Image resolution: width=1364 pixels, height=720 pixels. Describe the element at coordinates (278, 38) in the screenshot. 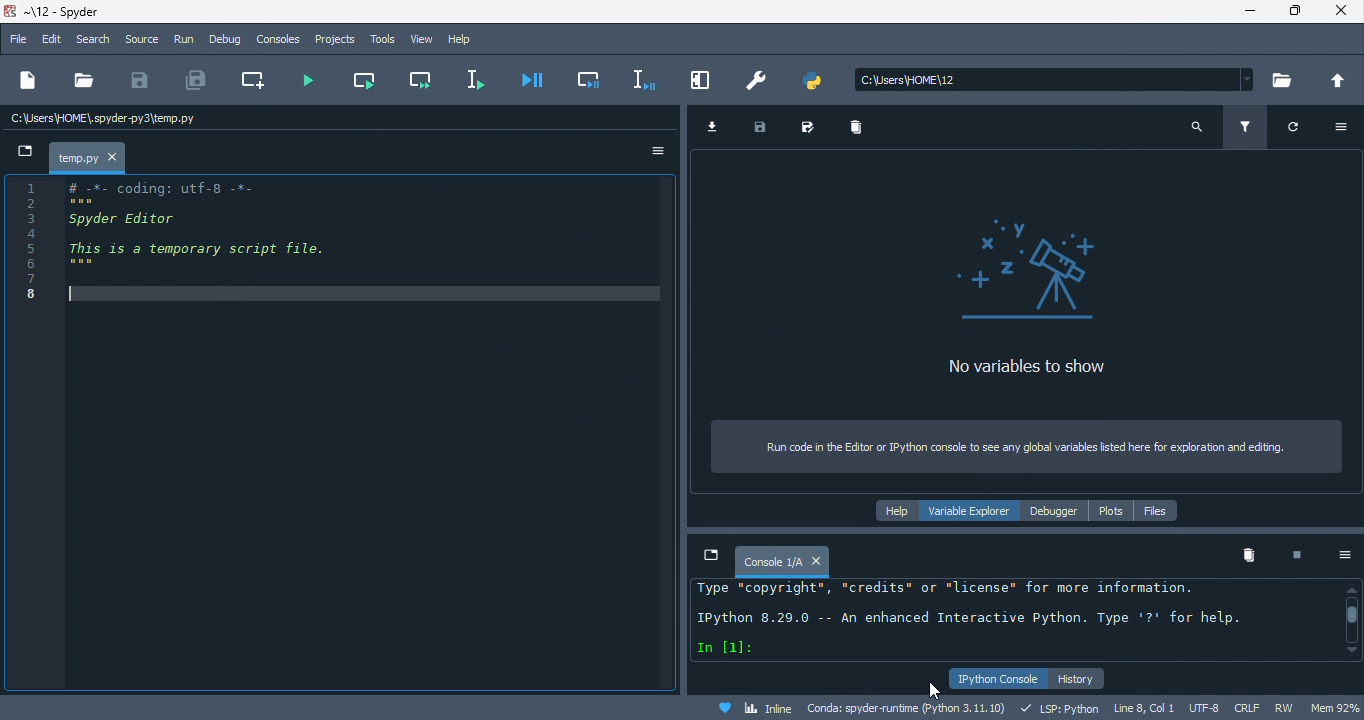

I see `console` at that location.